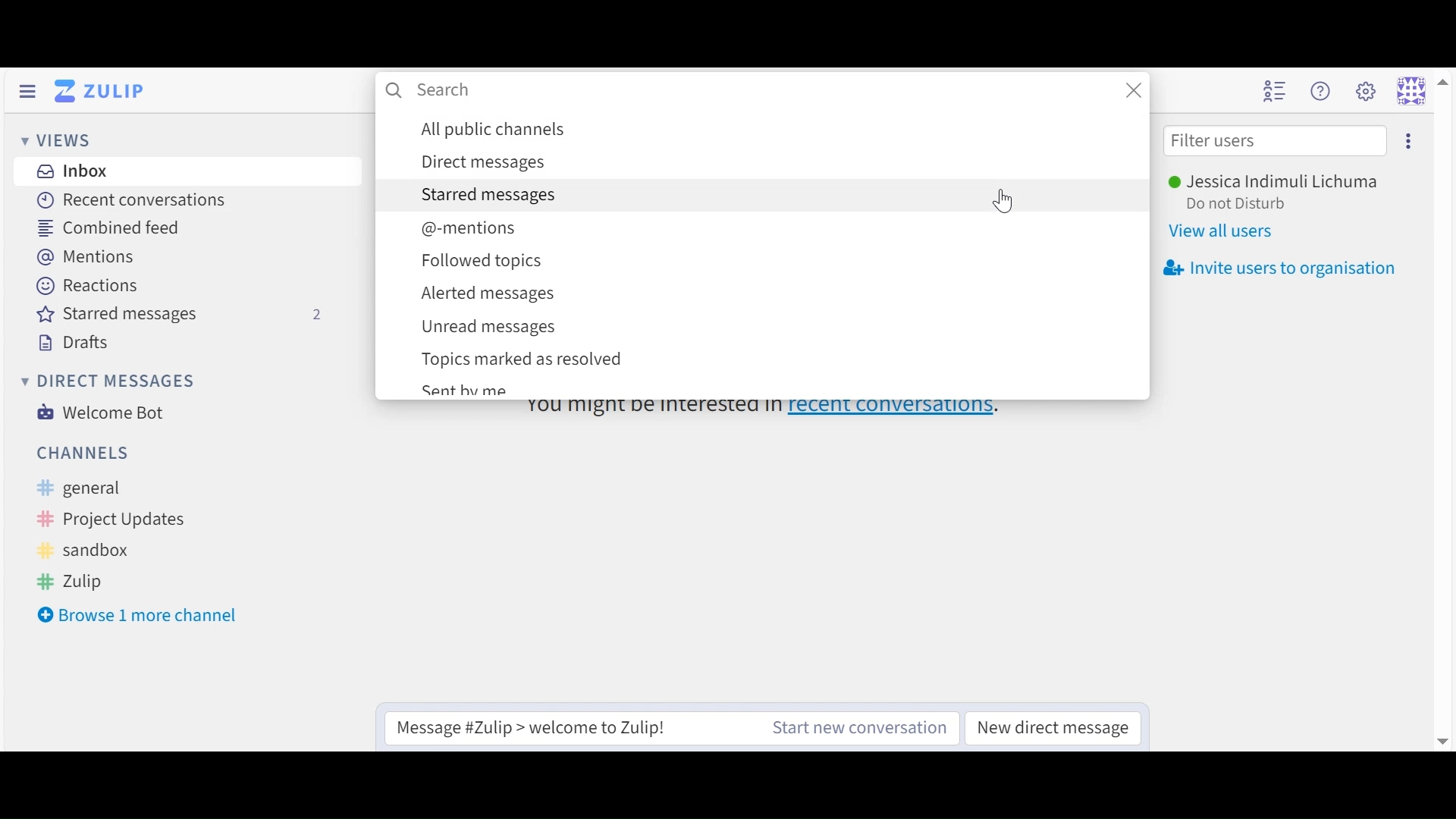 Image resolution: width=1456 pixels, height=819 pixels. I want to click on Project updates, so click(106, 519).